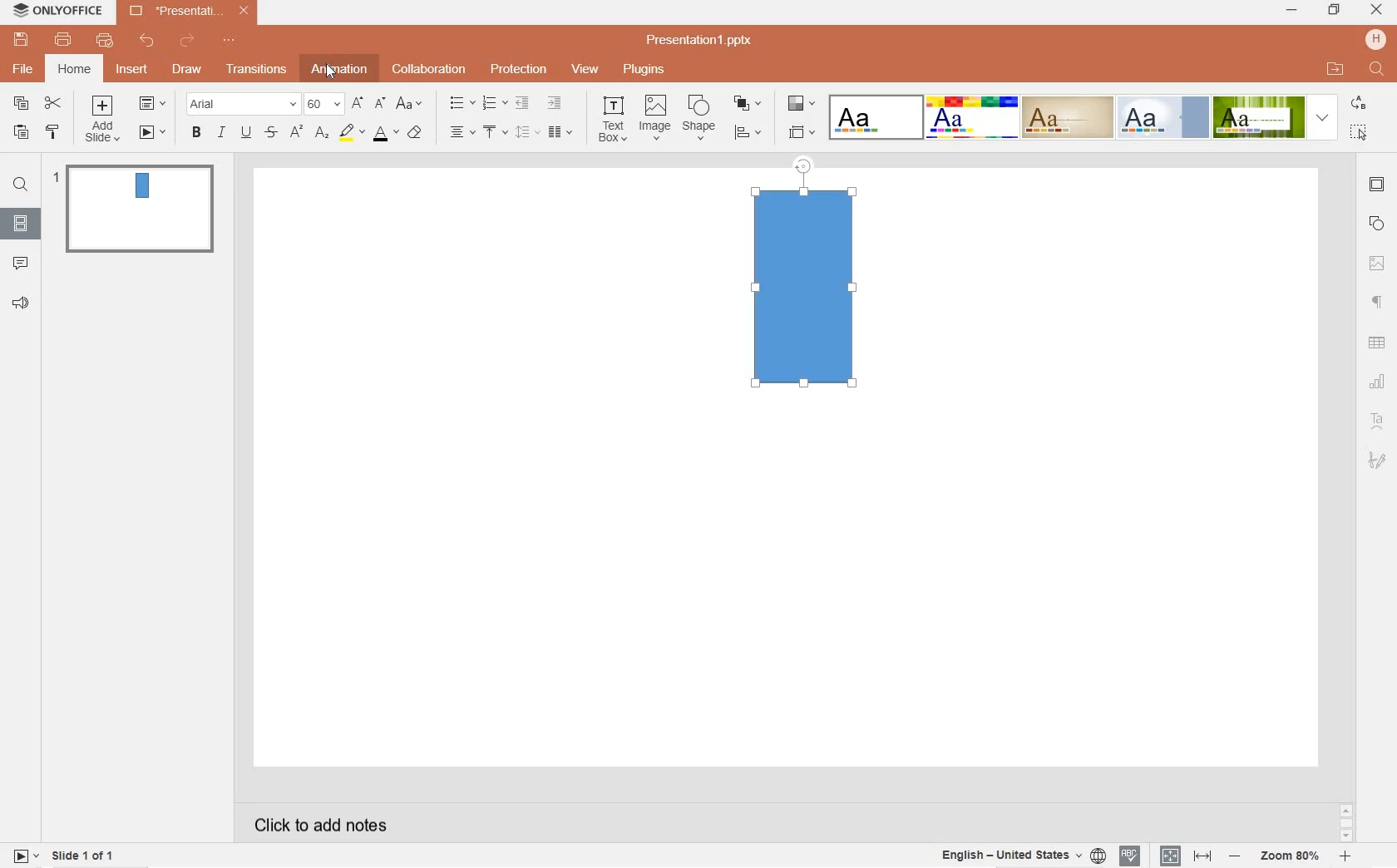 This screenshot has height=868, width=1397. Describe the element at coordinates (697, 117) in the screenshot. I see `shape` at that location.